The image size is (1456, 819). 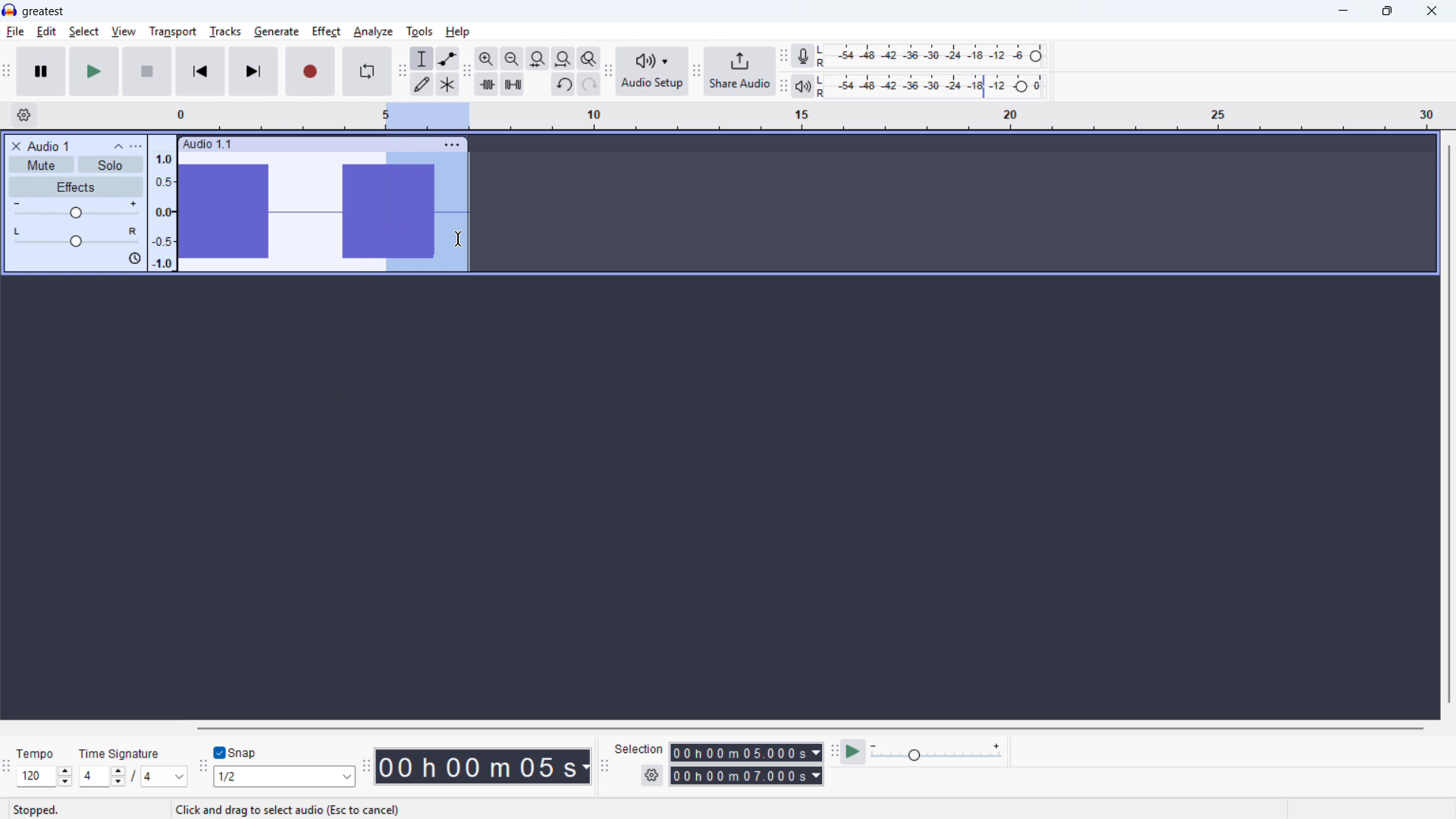 What do you see at coordinates (419, 32) in the screenshot?
I see `tools` at bounding box center [419, 32].